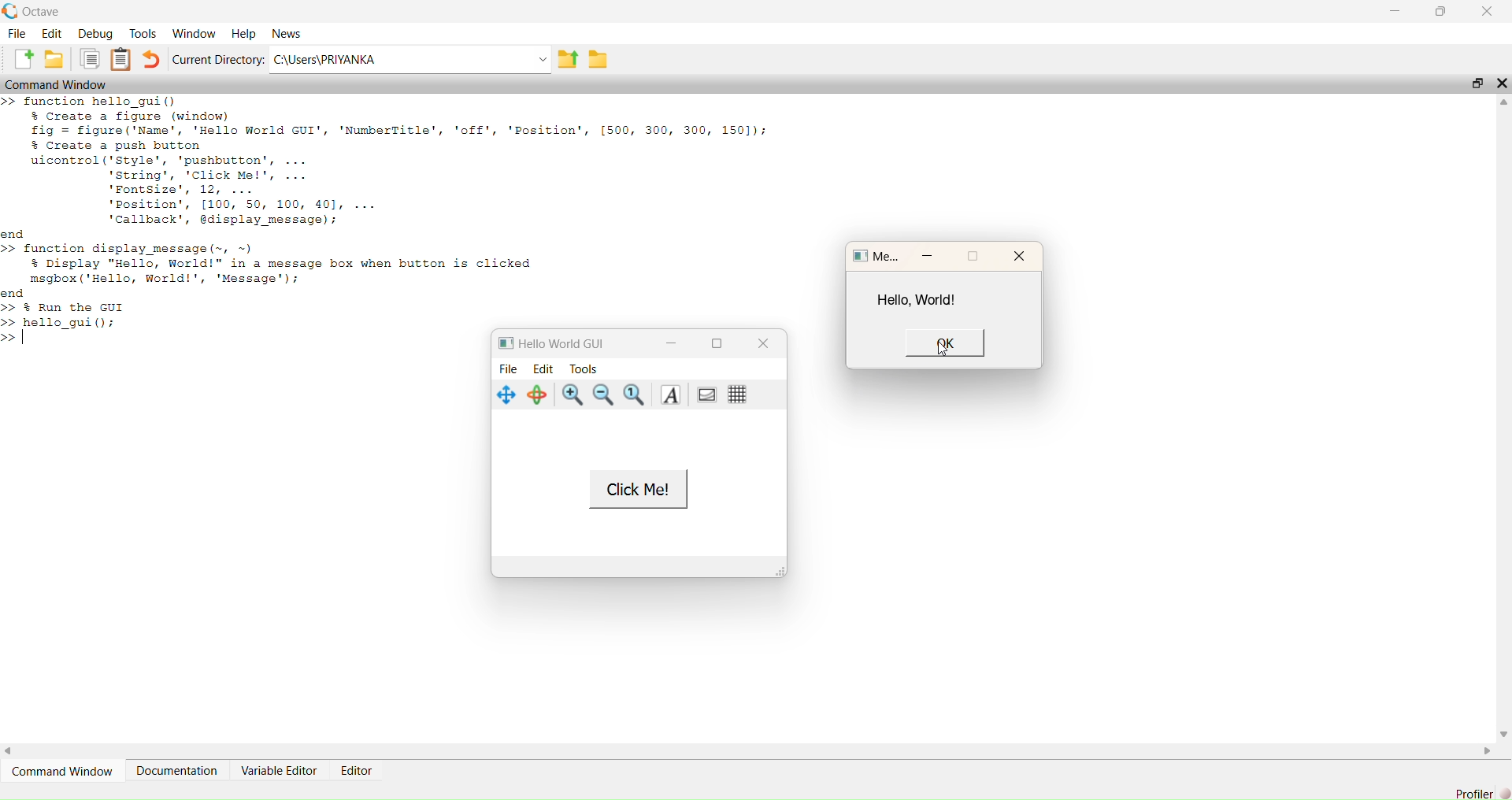 This screenshot has height=800, width=1512. Describe the element at coordinates (1392, 9) in the screenshot. I see `minimise` at that location.